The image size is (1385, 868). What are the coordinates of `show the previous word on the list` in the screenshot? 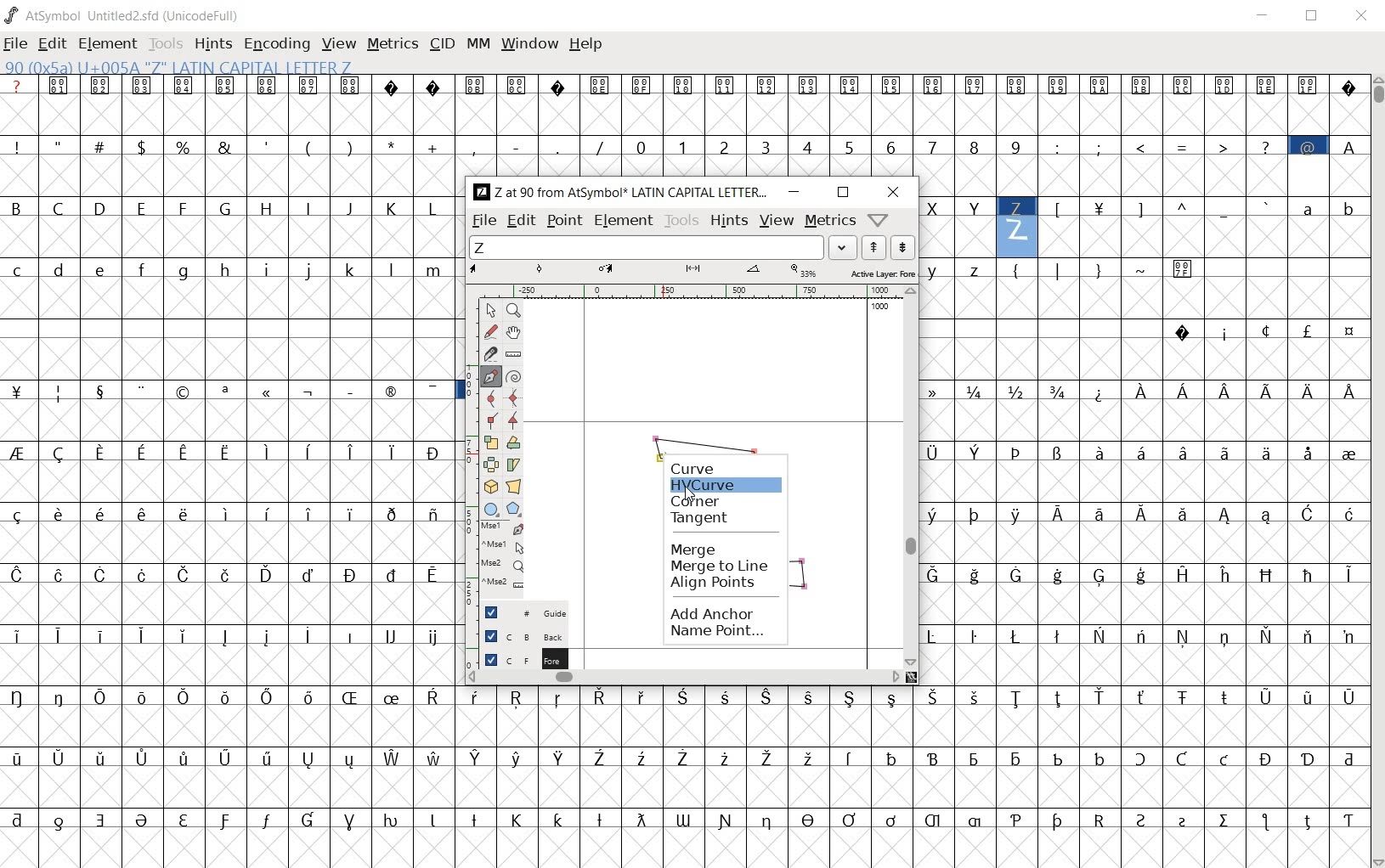 It's located at (902, 247).